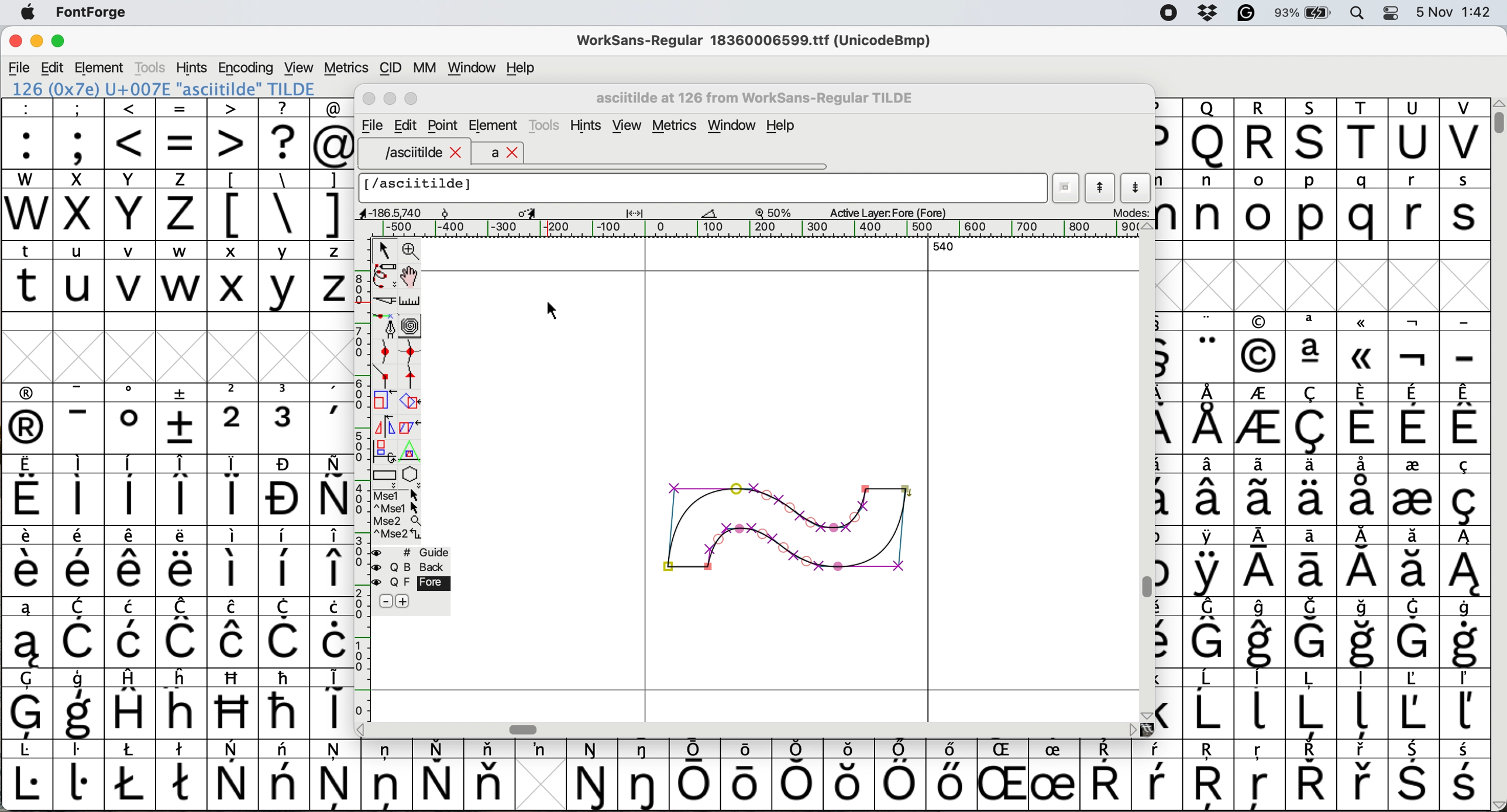  Describe the element at coordinates (1260, 563) in the screenshot. I see `symbol` at that location.